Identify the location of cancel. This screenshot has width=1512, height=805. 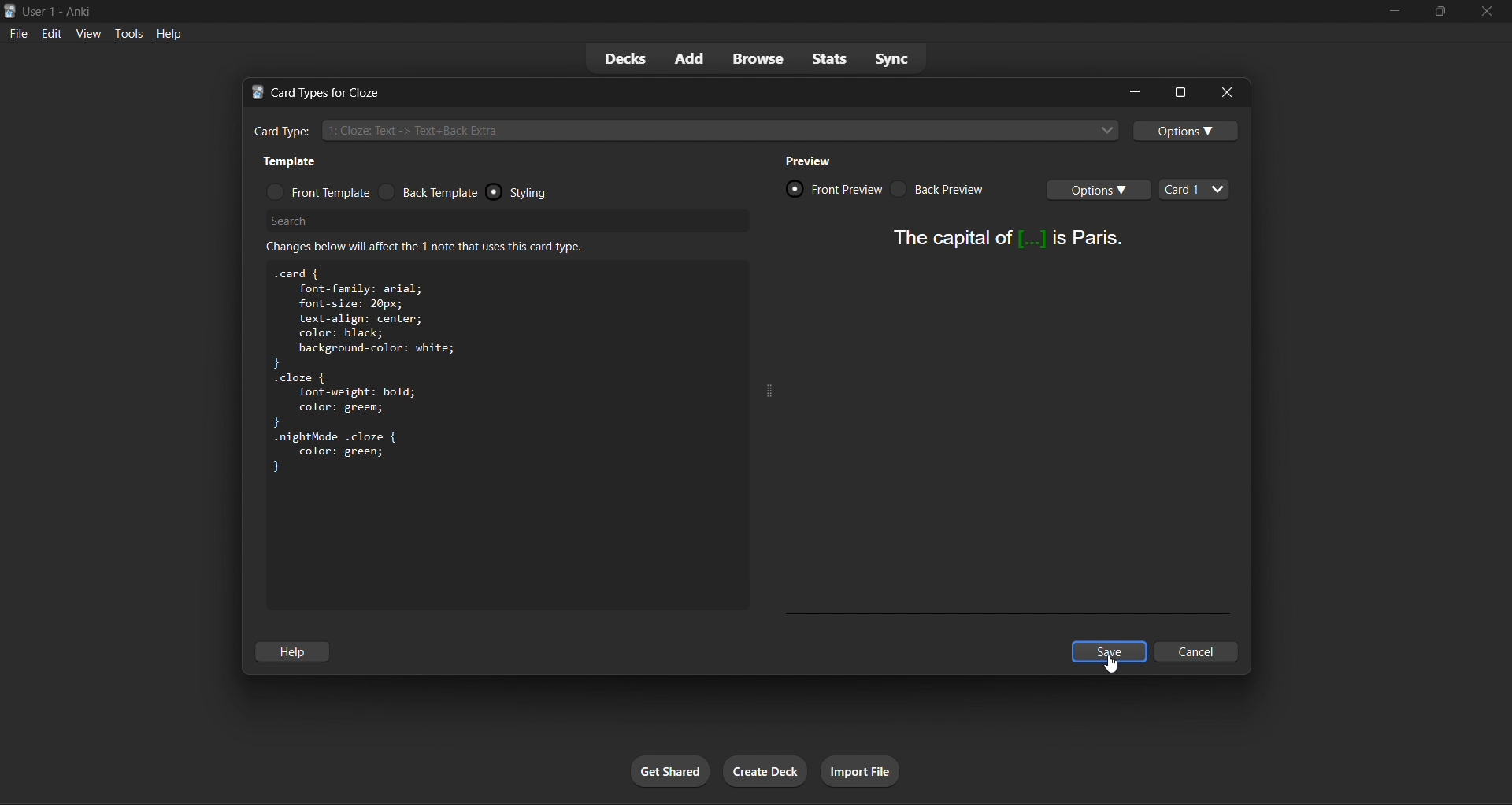
(1197, 652).